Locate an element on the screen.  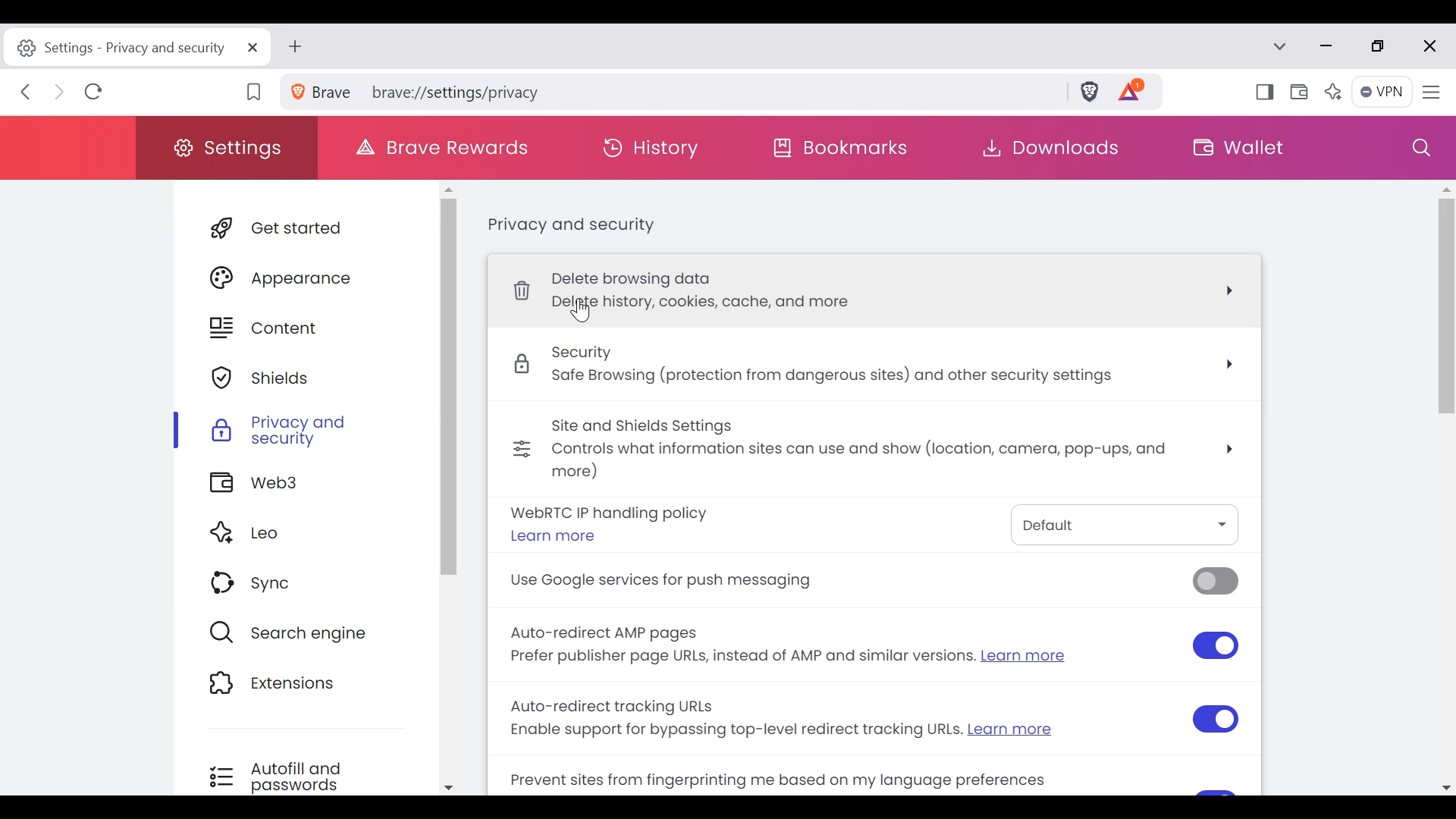
VPN is located at coordinates (1382, 93).